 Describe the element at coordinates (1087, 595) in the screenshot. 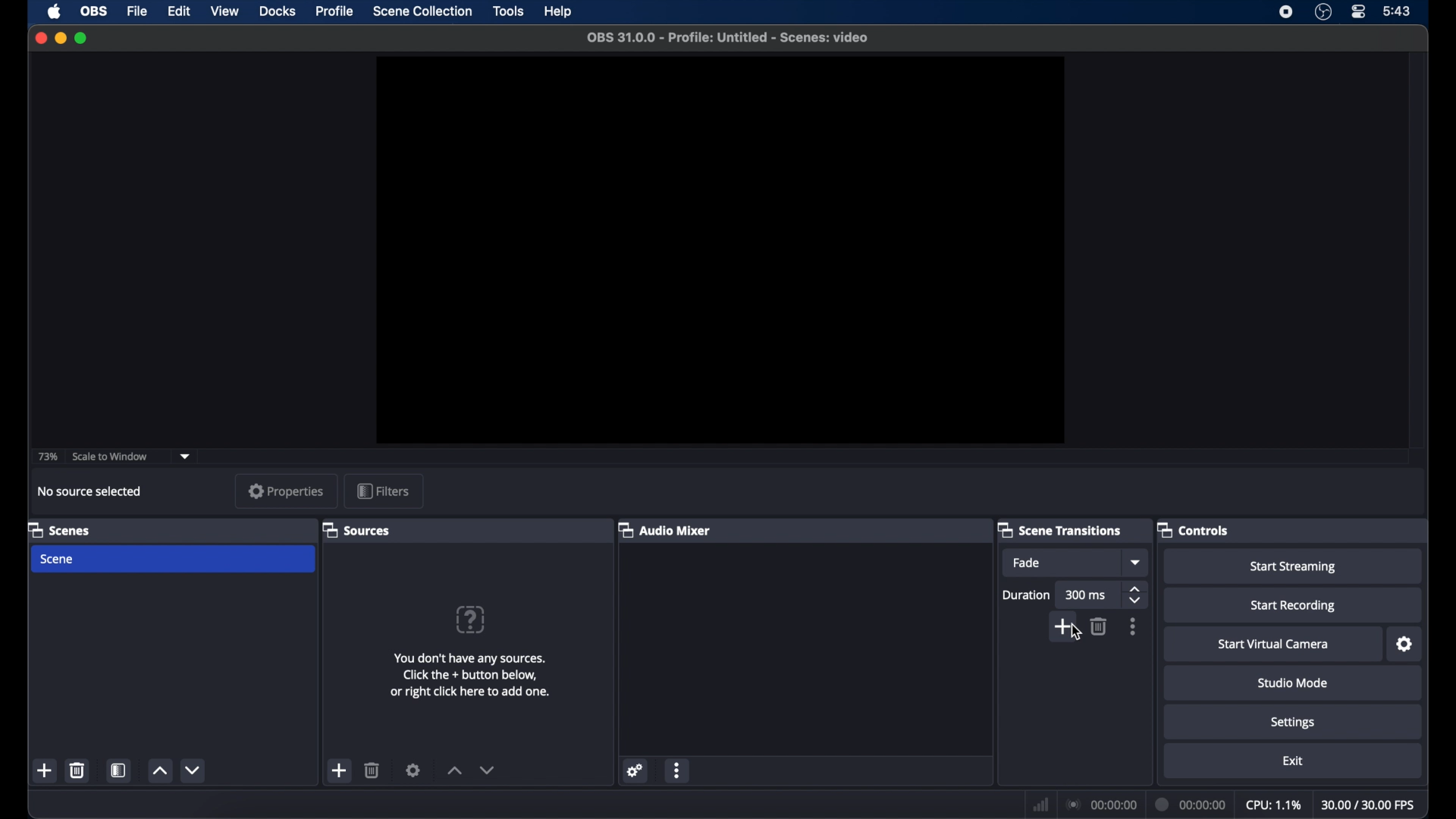

I see `300 ms` at that location.